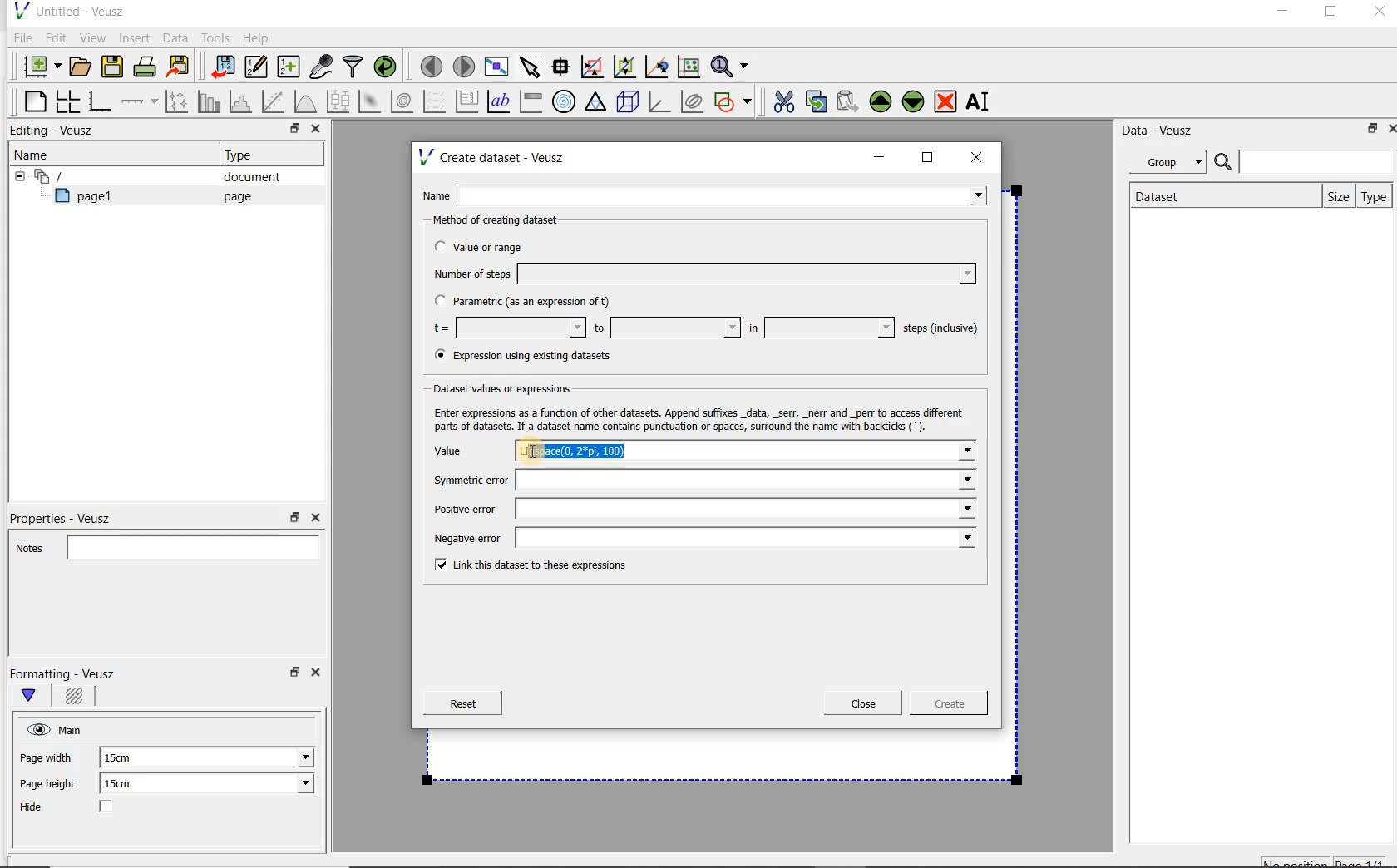 This screenshot has height=868, width=1397. What do you see at coordinates (99, 102) in the screenshot?
I see `base graph` at bounding box center [99, 102].